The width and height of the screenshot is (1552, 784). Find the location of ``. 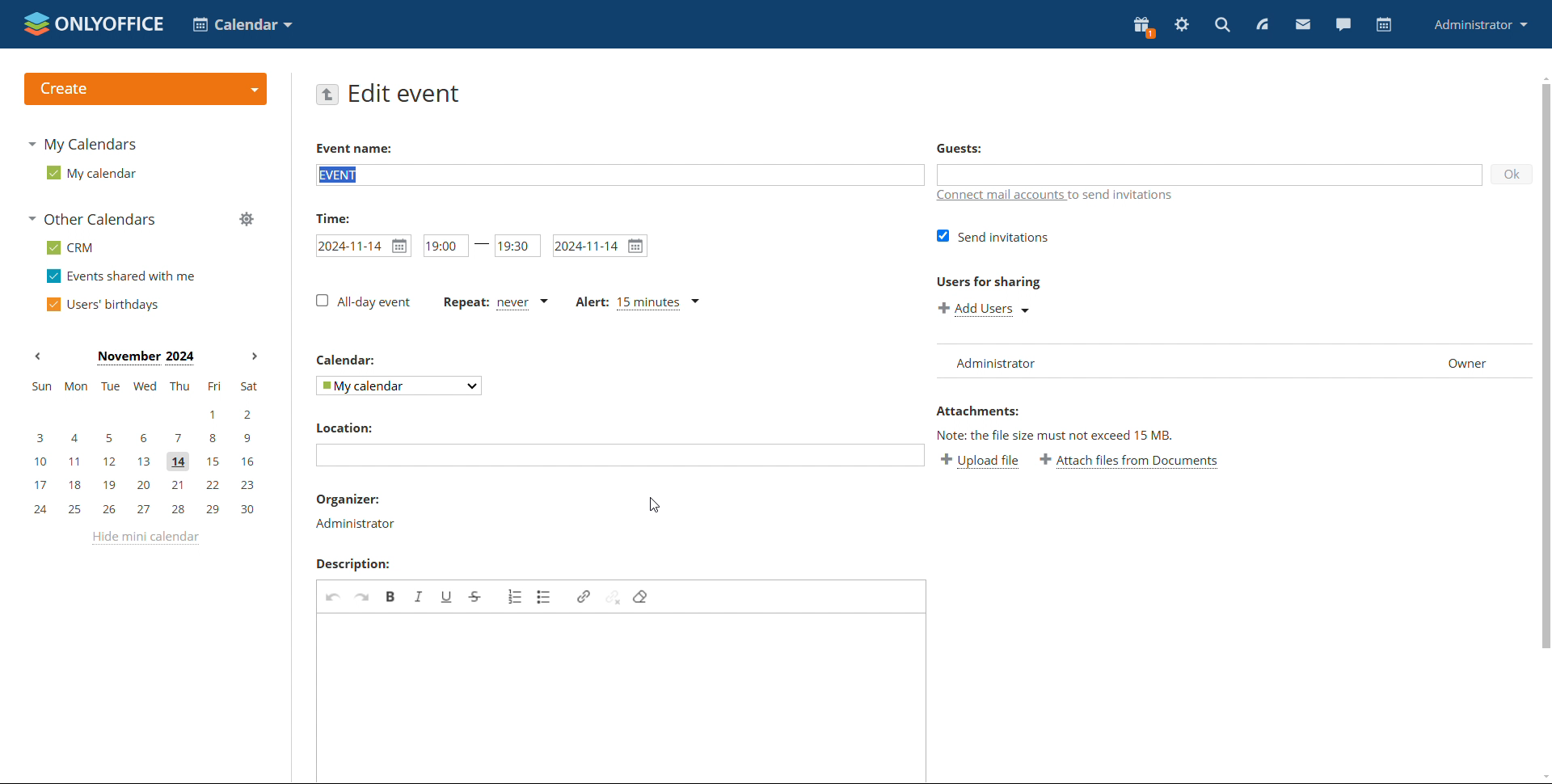

 is located at coordinates (406, 94).